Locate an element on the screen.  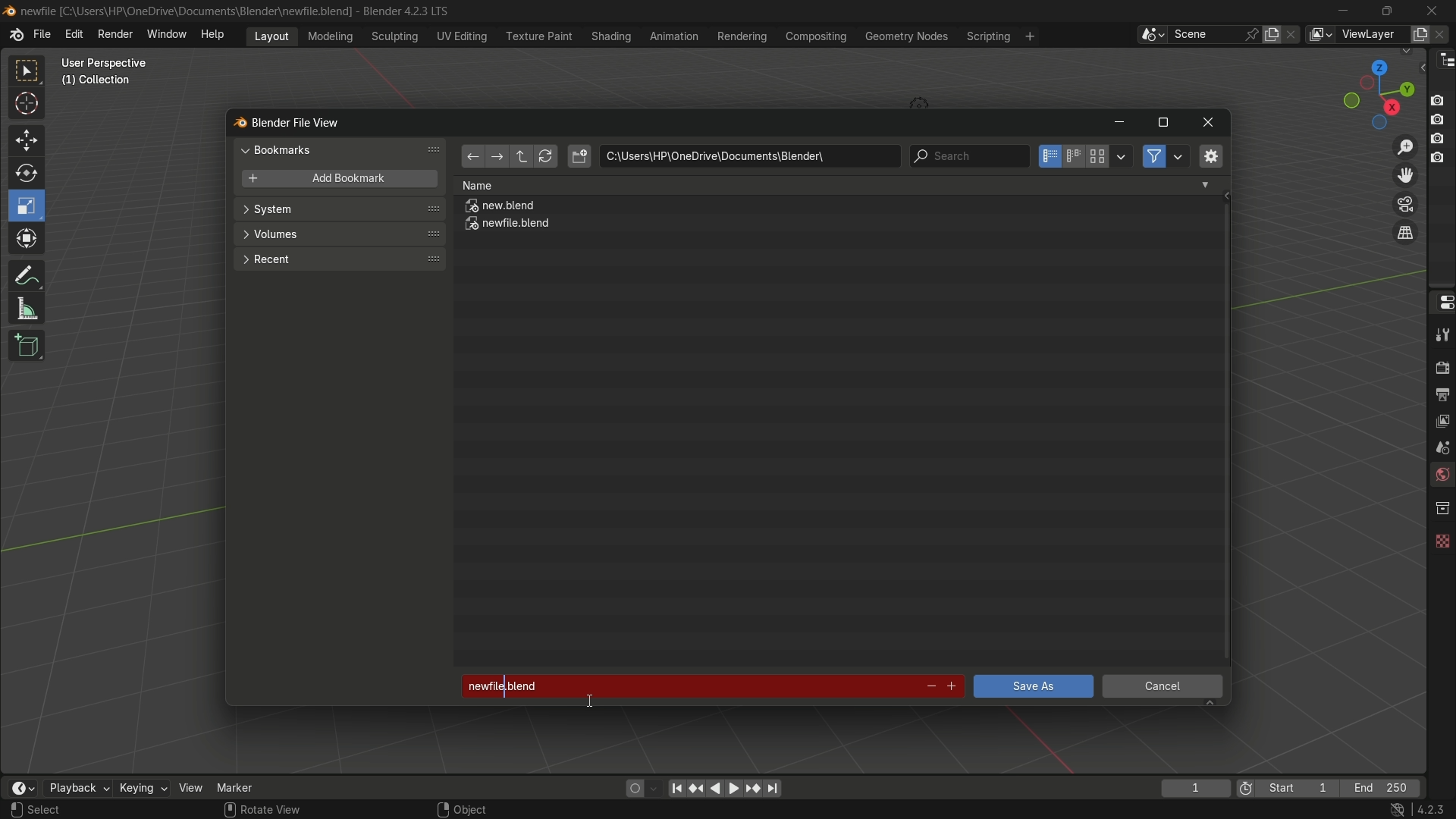
increment file number is located at coordinates (952, 687).